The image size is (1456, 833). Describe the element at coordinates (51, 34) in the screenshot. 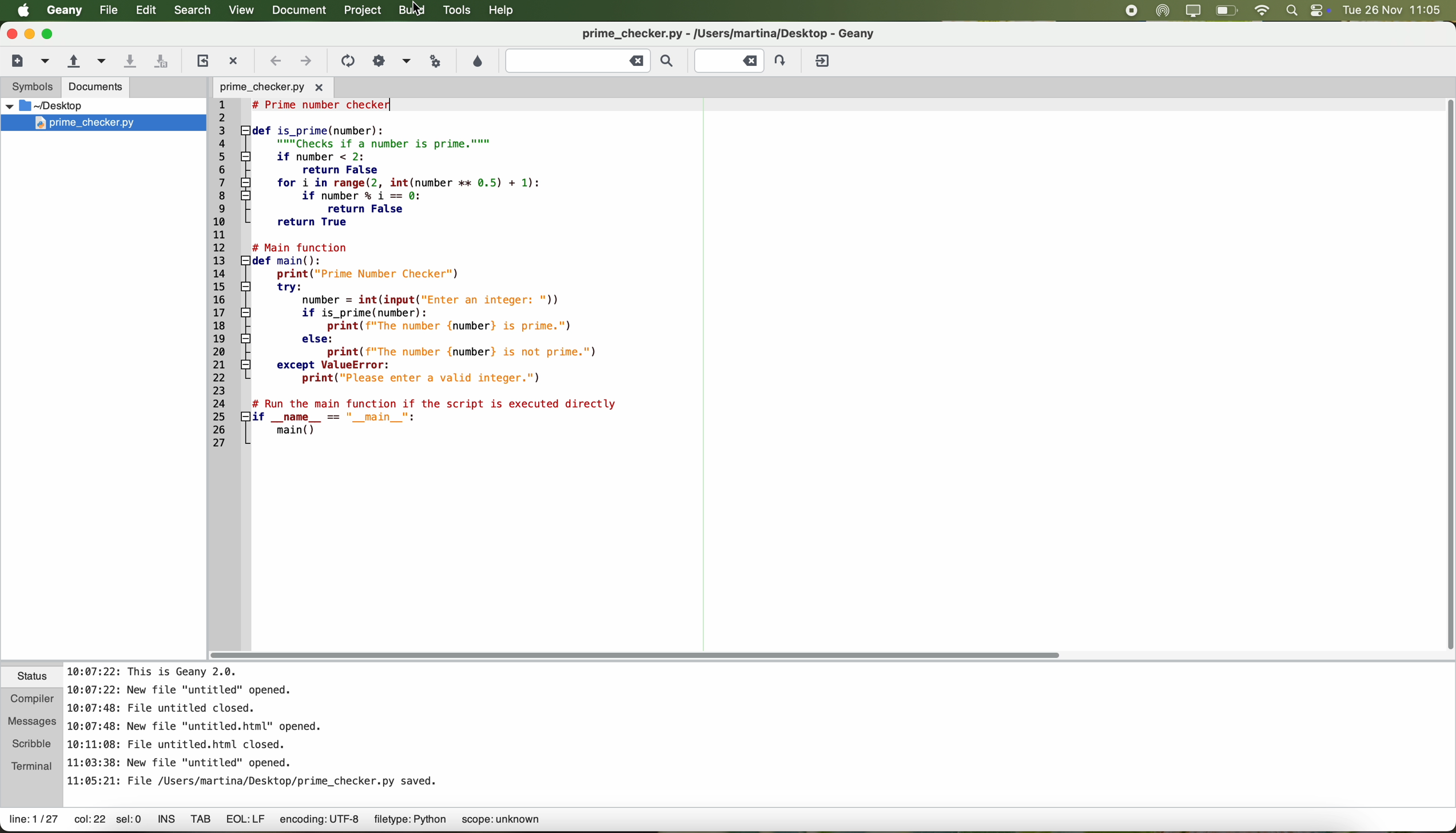

I see `maximize Geany` at that location.